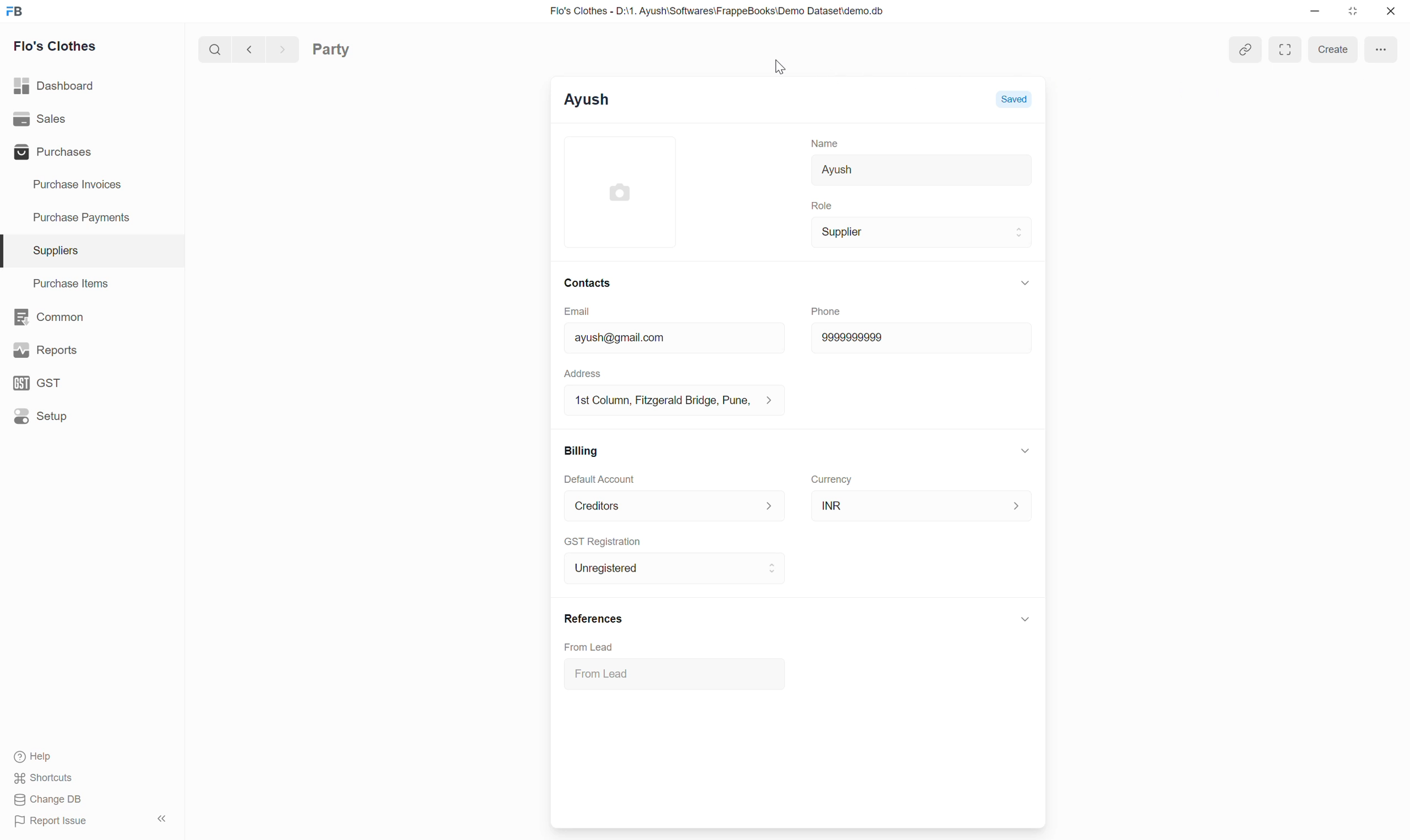 The image size is (1410, 840). What do you see at coordinates (922, 505) in the screenshot?
I see `INR` at bounding box center [922, 505].